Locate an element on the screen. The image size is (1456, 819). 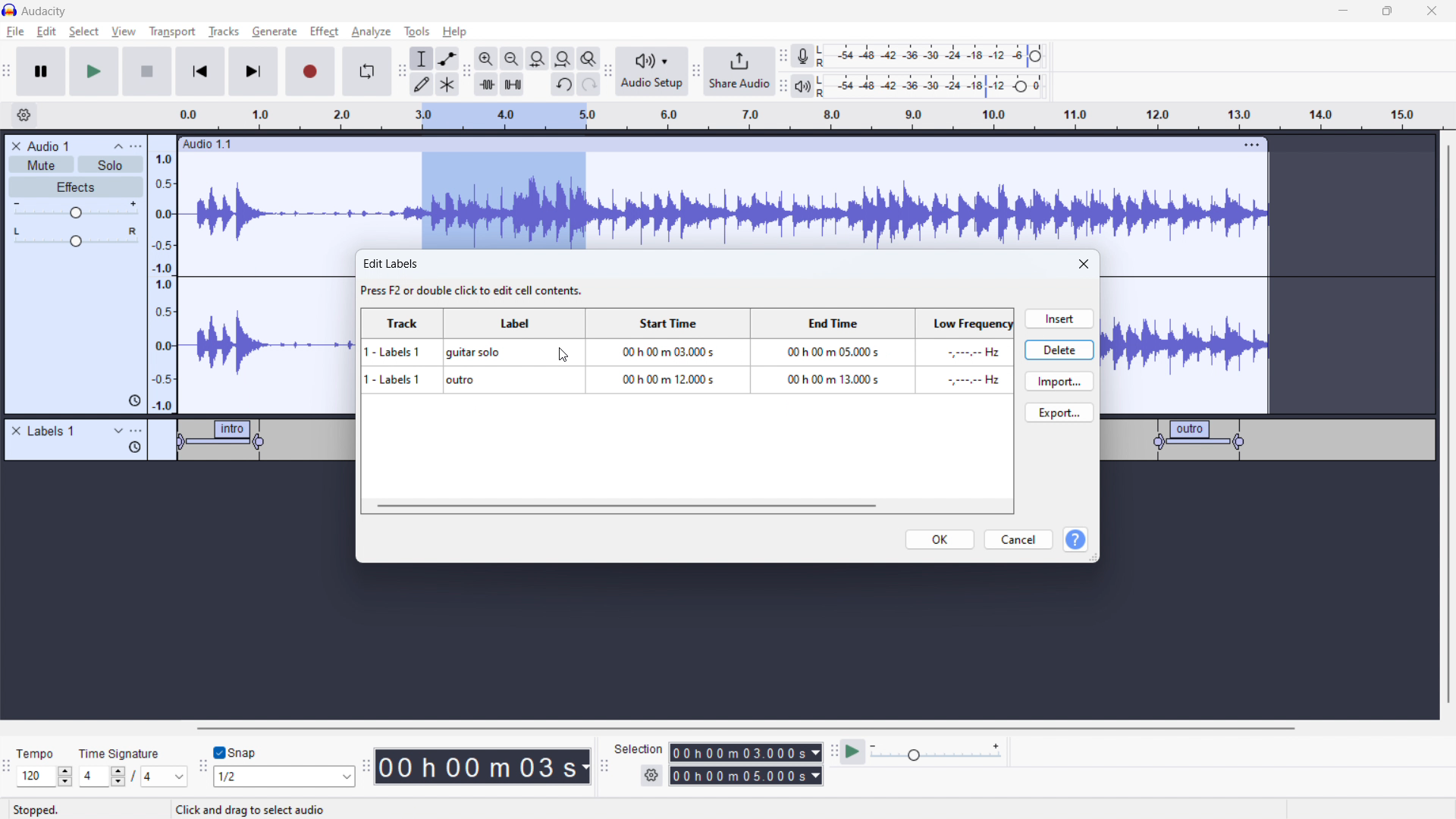
effects is located at coordinates (77, 187).